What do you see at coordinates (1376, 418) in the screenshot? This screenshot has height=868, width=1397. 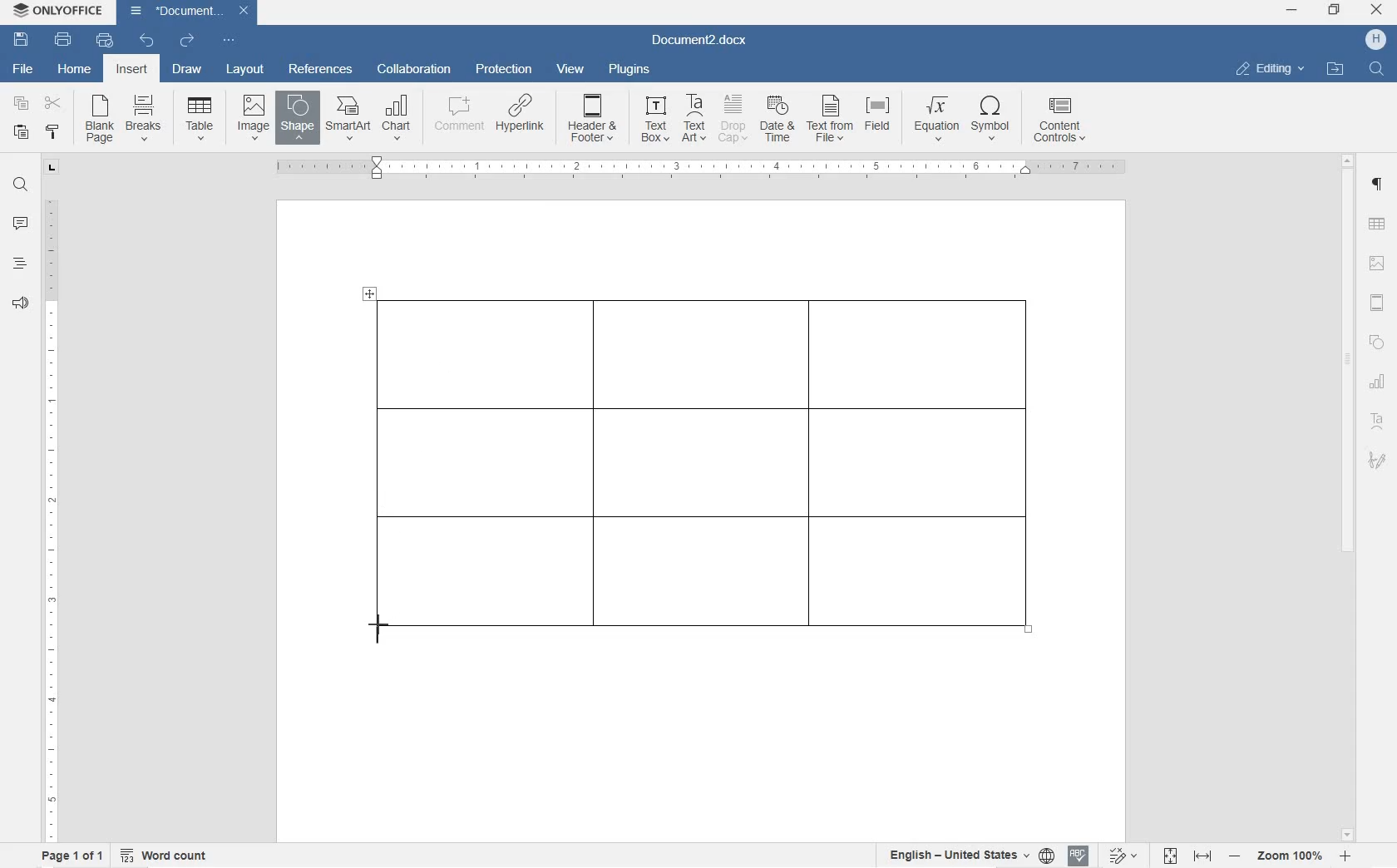 I see `textart` at bounding box center [1376, 418].